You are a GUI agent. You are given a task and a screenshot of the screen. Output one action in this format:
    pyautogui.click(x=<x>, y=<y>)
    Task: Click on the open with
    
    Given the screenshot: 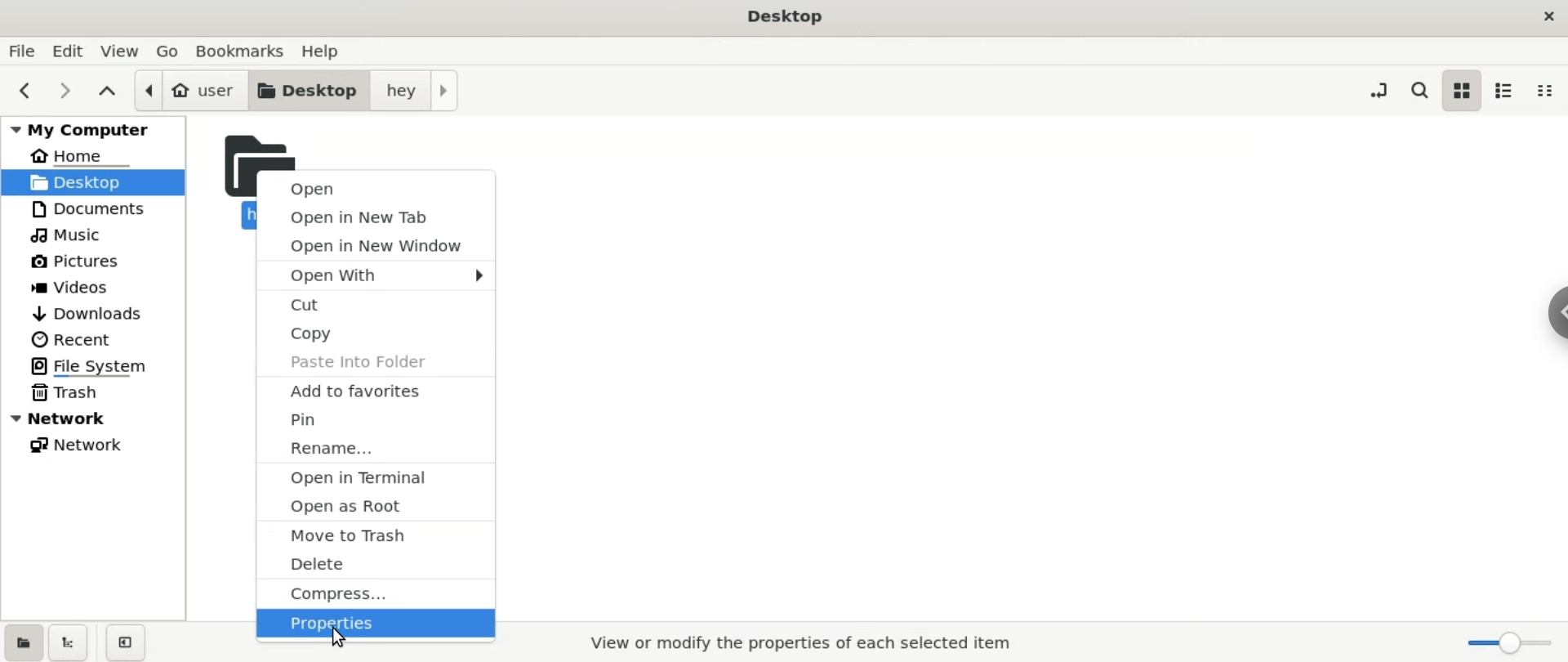 What is the action you would take?
    pyautogui.click(x=379, y=277)
    